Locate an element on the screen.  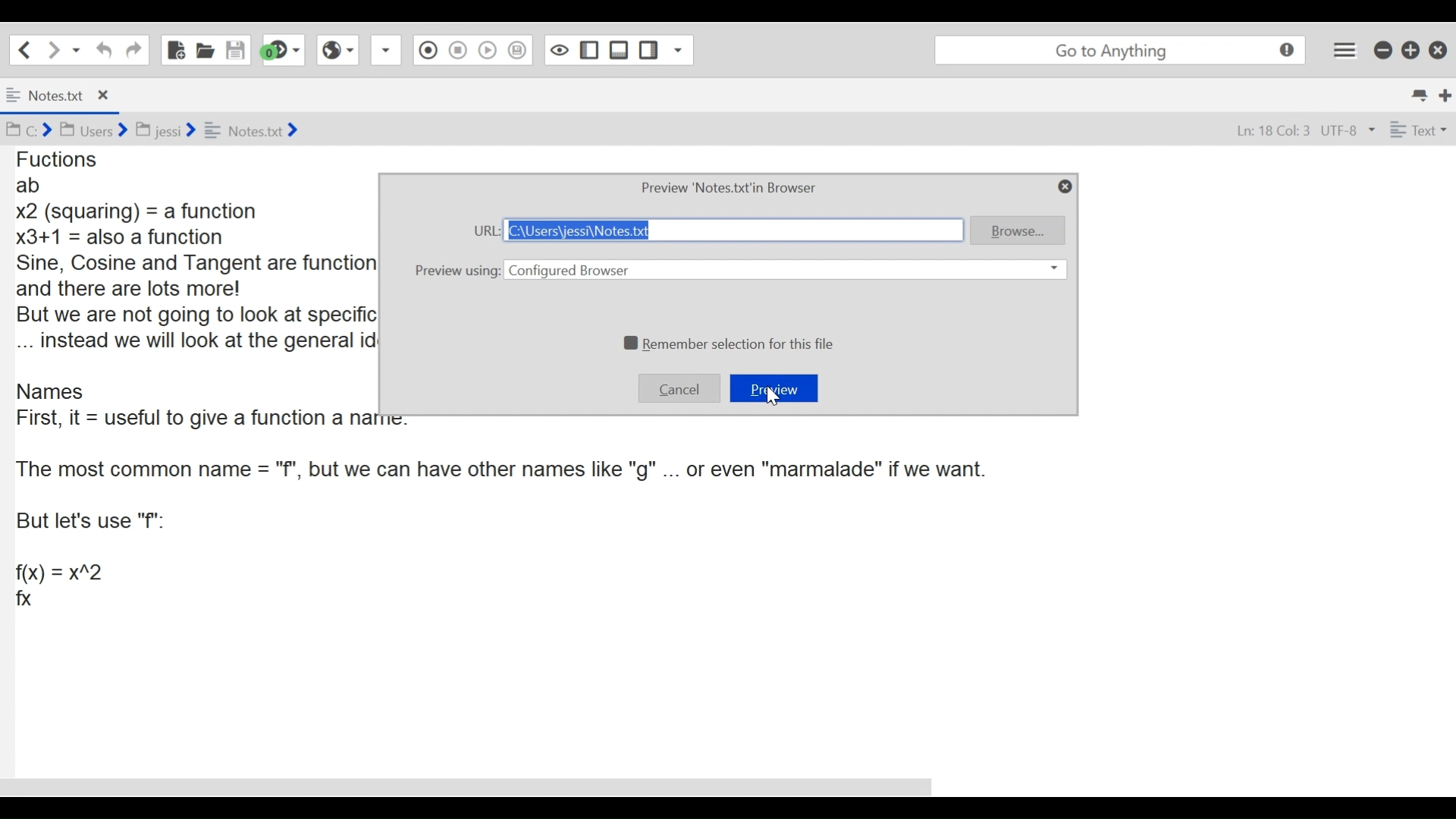
configured browser is located at coordinates (785, 268).